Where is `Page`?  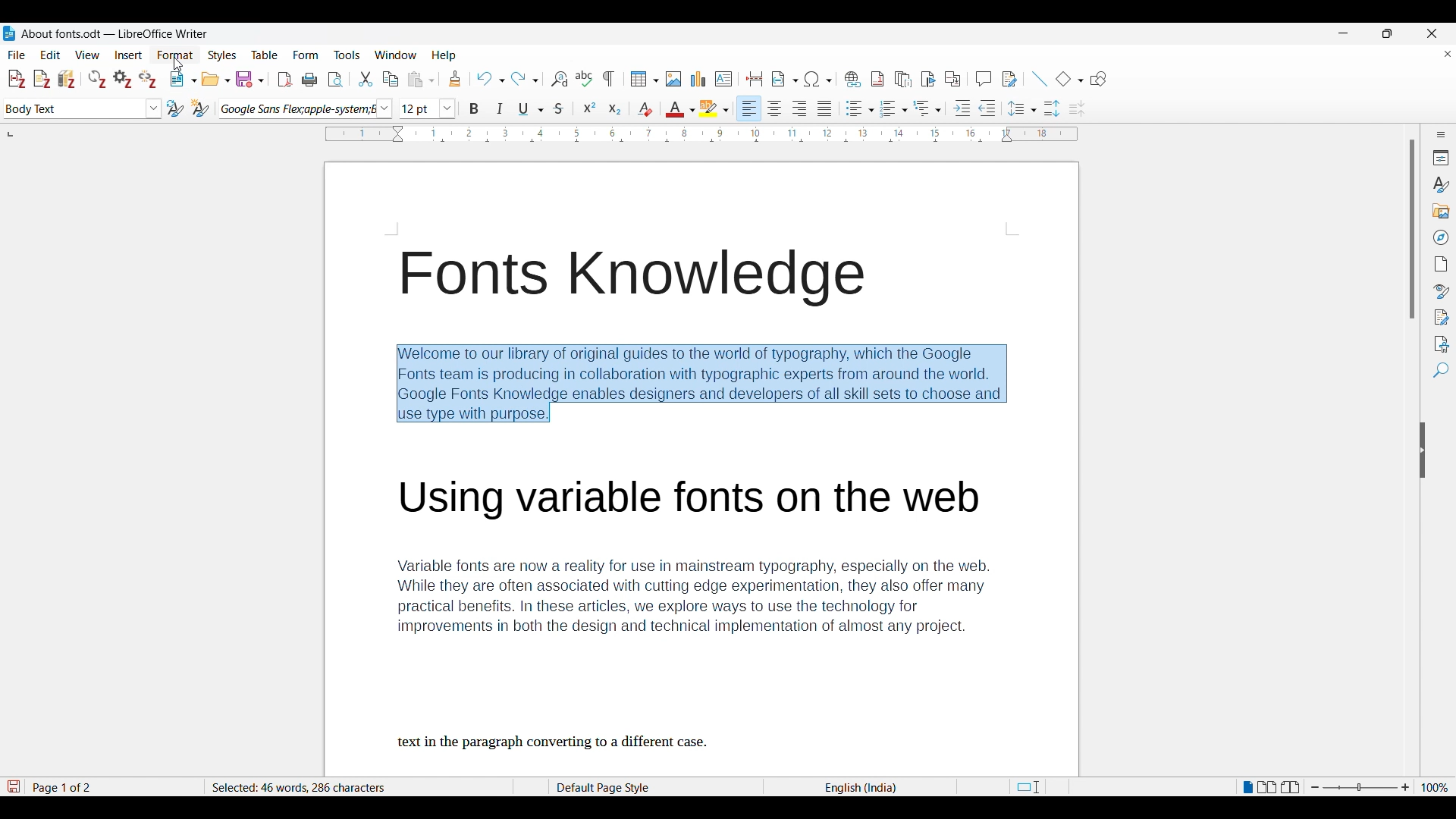 Page is located at coordinates (1442, 264).